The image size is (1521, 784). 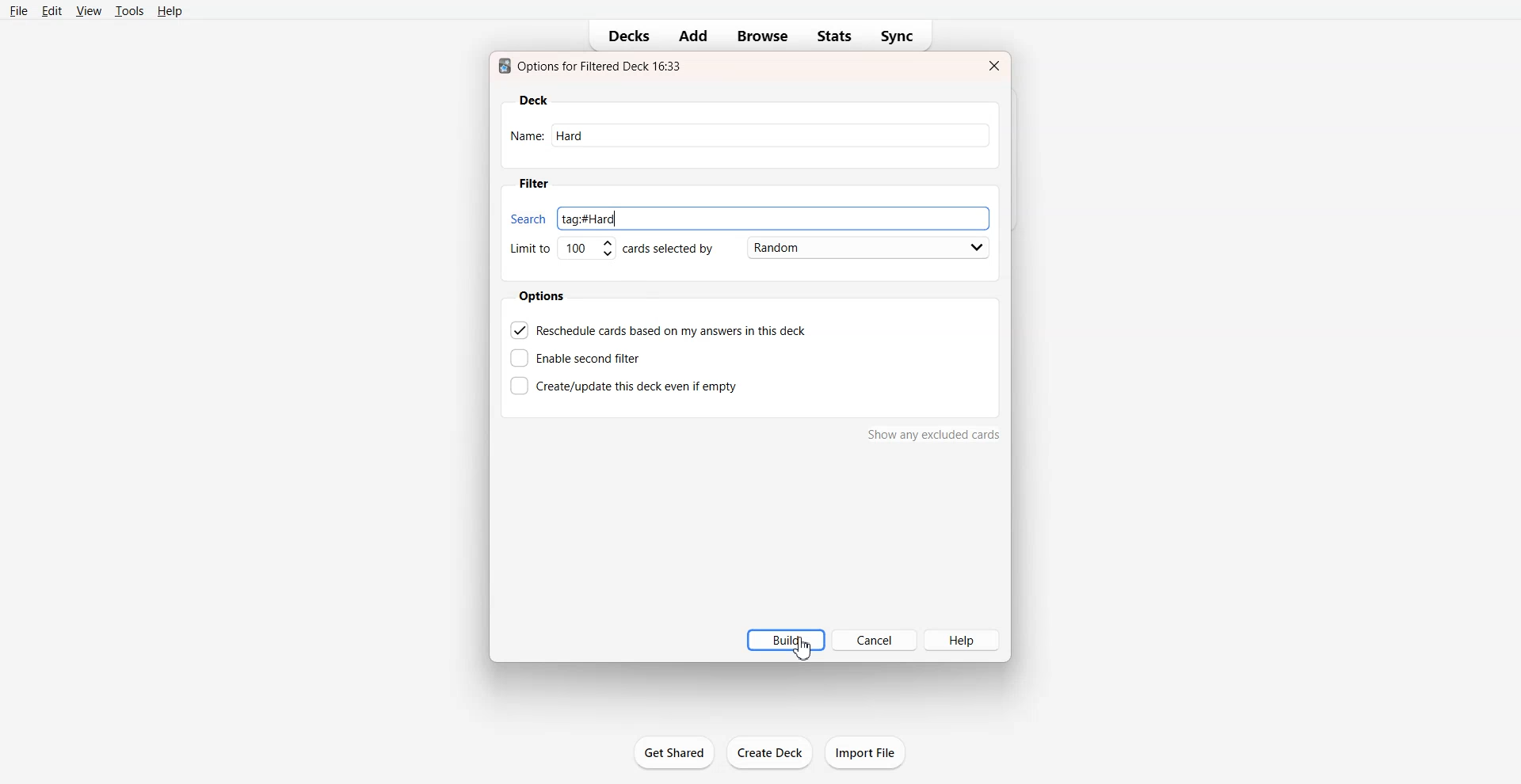 I want to click on create deck, so click(x=774, y=753).